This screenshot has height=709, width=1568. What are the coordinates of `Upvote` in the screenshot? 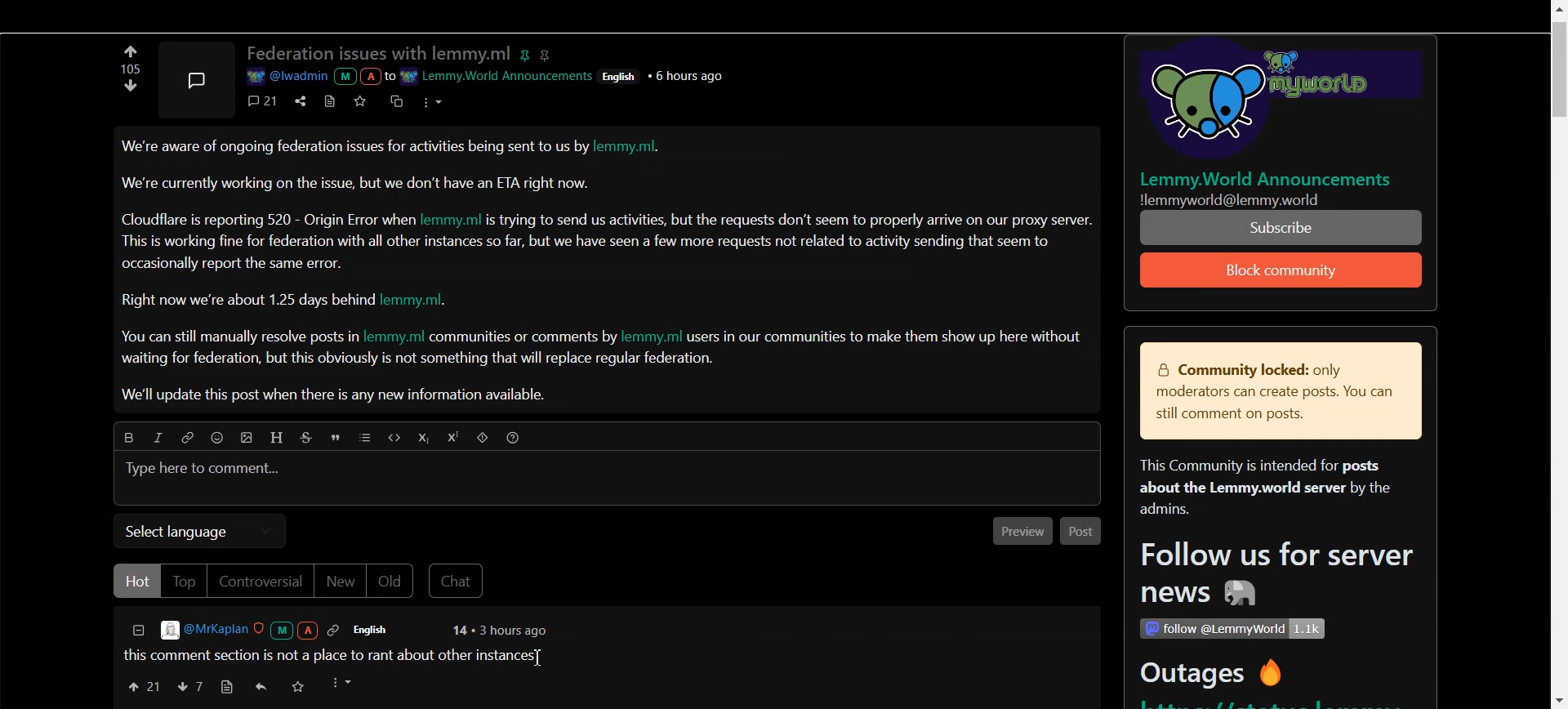 It's located at (143, 685).